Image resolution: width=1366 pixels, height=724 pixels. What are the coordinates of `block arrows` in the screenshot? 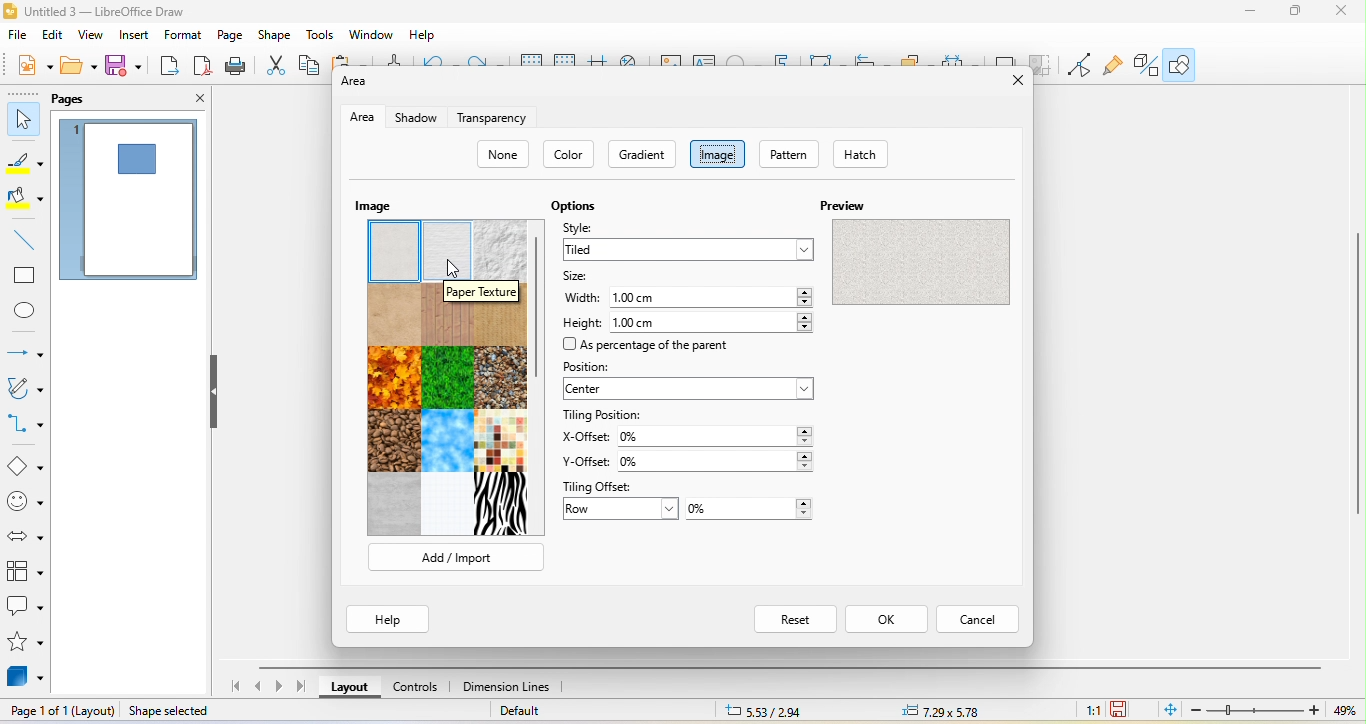 It's located at (23, 533).